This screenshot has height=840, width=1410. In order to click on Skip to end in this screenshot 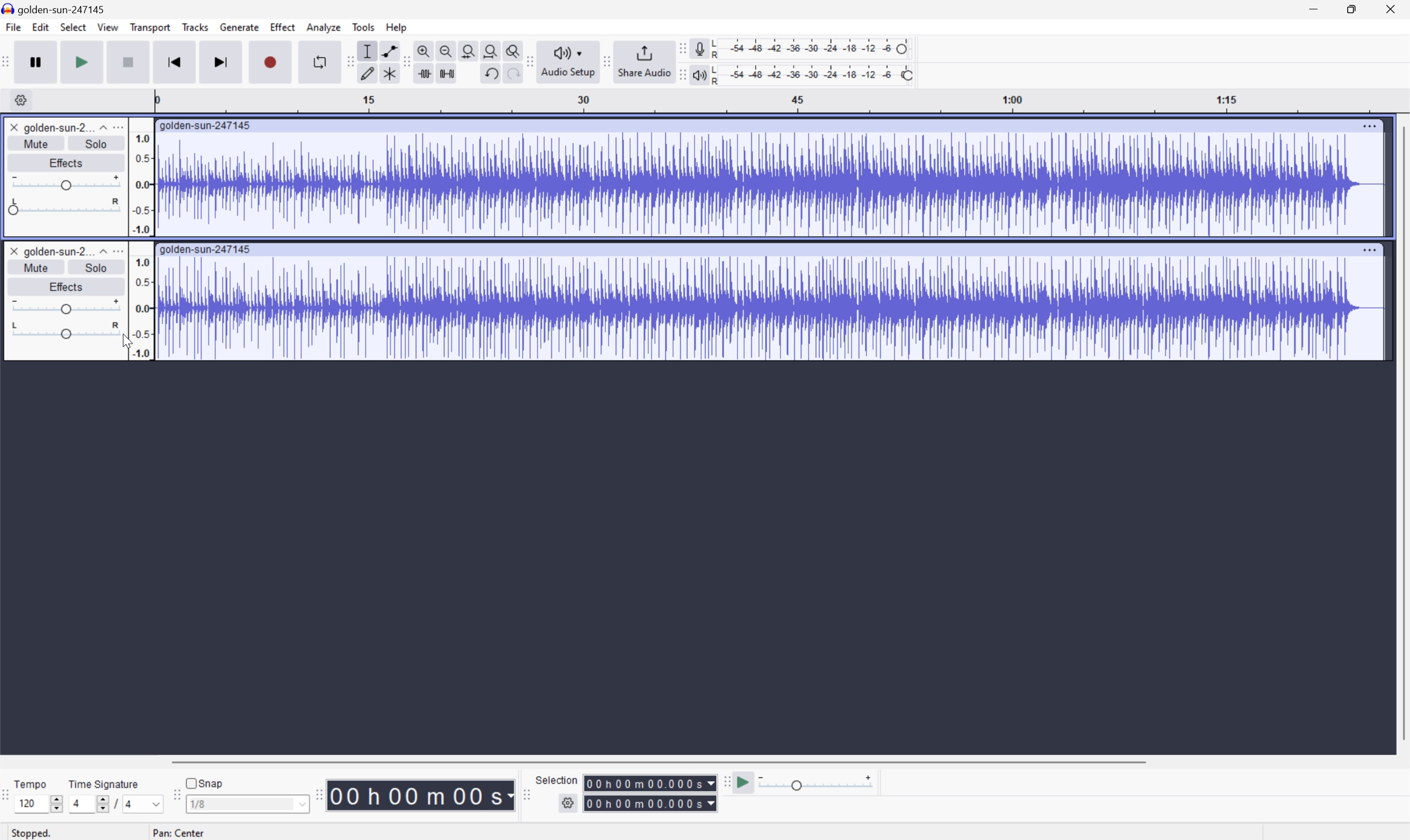, I will do `click(223, 60)`.